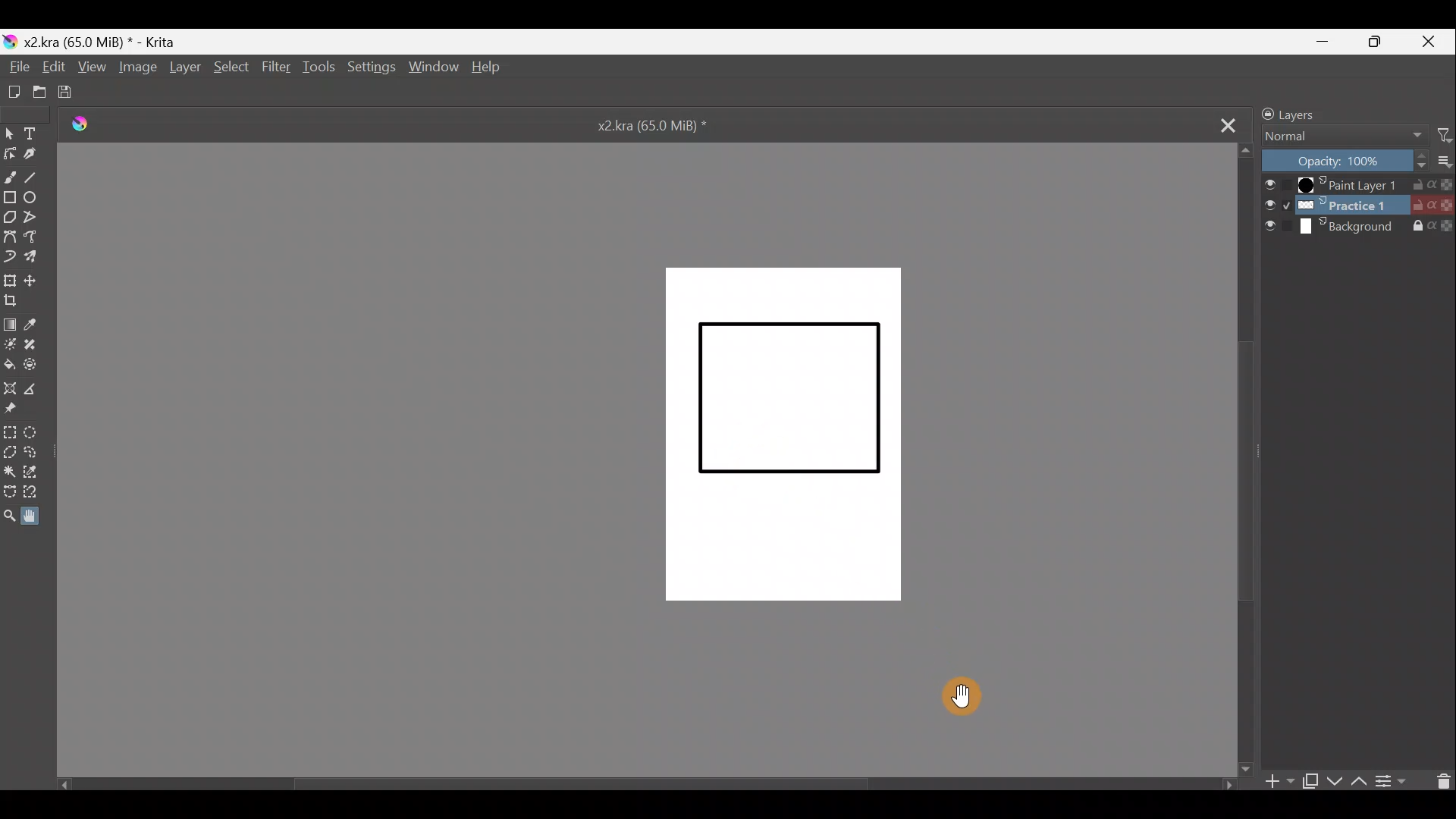  Describe the element at coordinates (316, 71) in the screenshot. I see `Tools` at that location.